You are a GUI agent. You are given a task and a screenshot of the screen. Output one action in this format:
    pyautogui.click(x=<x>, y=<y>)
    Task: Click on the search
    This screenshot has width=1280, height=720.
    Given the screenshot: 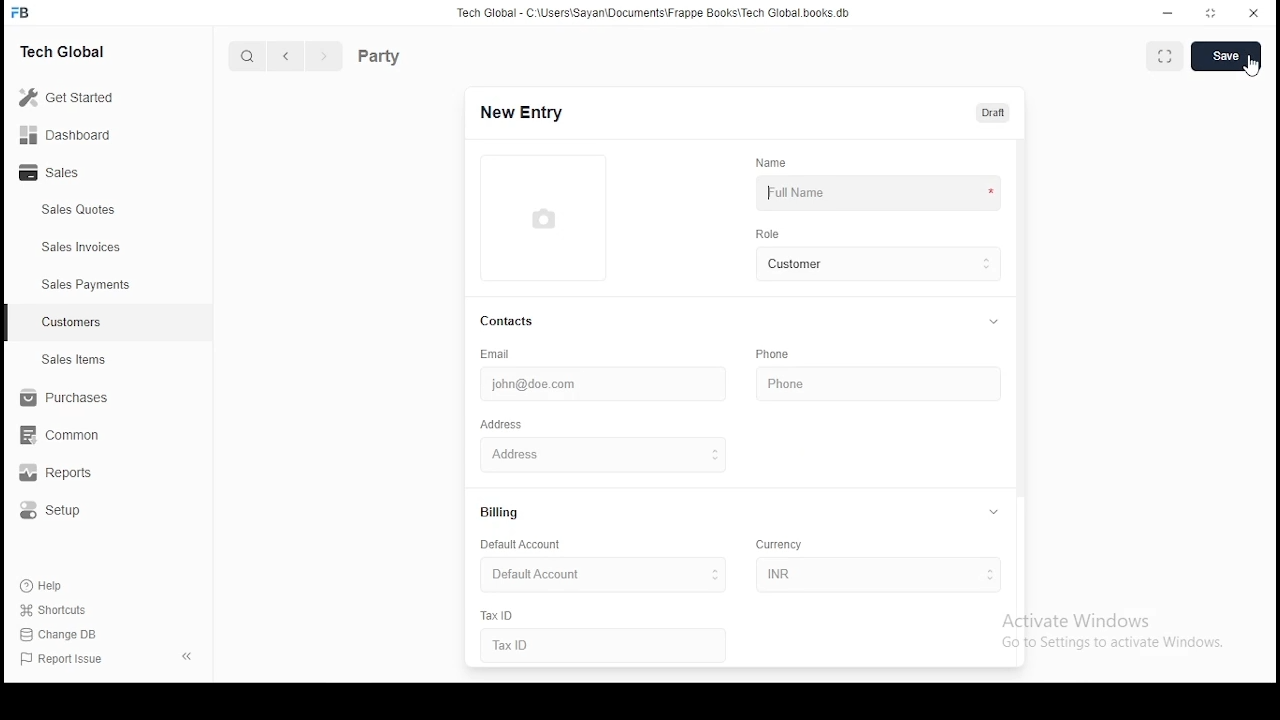 What is the action you would take?
    pyautogui.click(x=248, y=55)
    